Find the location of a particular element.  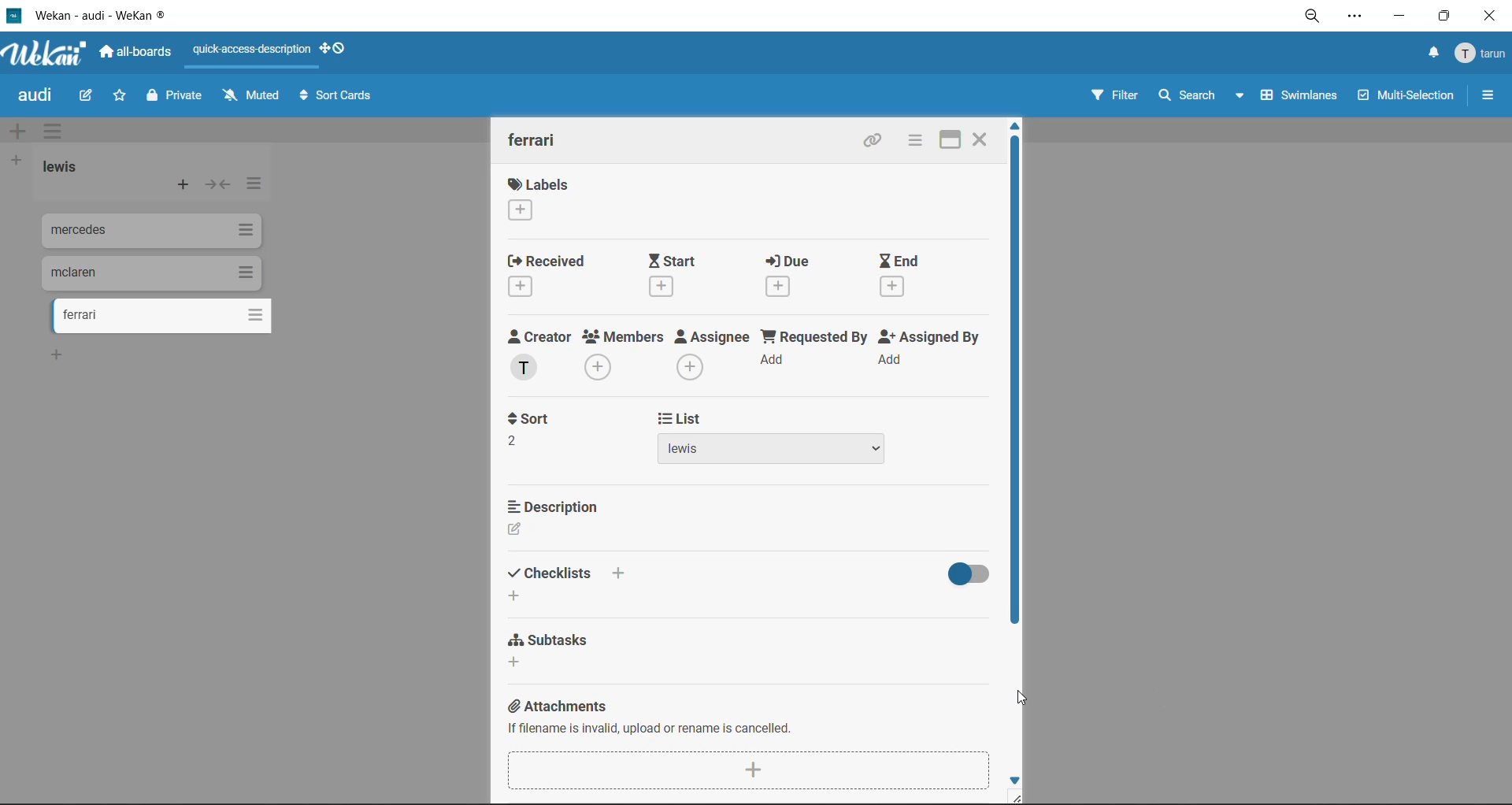

cursor is located at coordinates (1024, 699).